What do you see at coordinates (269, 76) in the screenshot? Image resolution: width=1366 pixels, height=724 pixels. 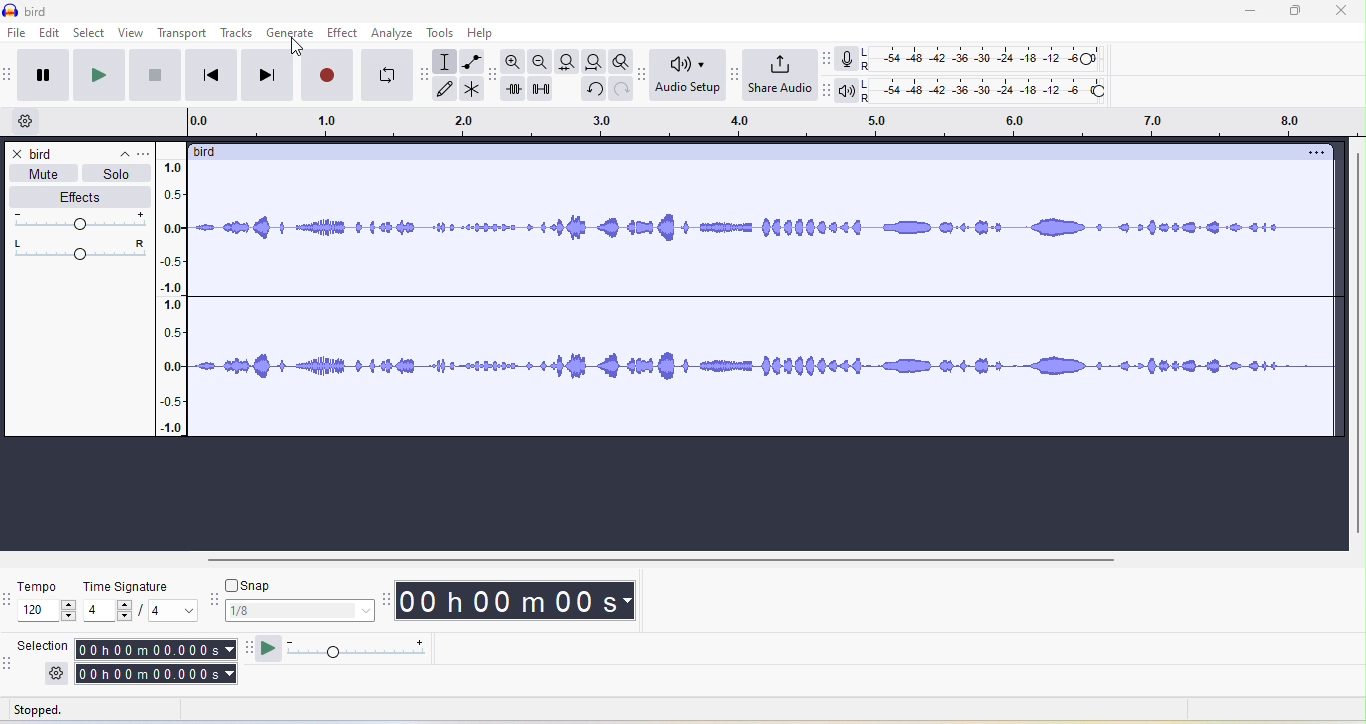 I see `skip to end` at bounding box center [269, 76].